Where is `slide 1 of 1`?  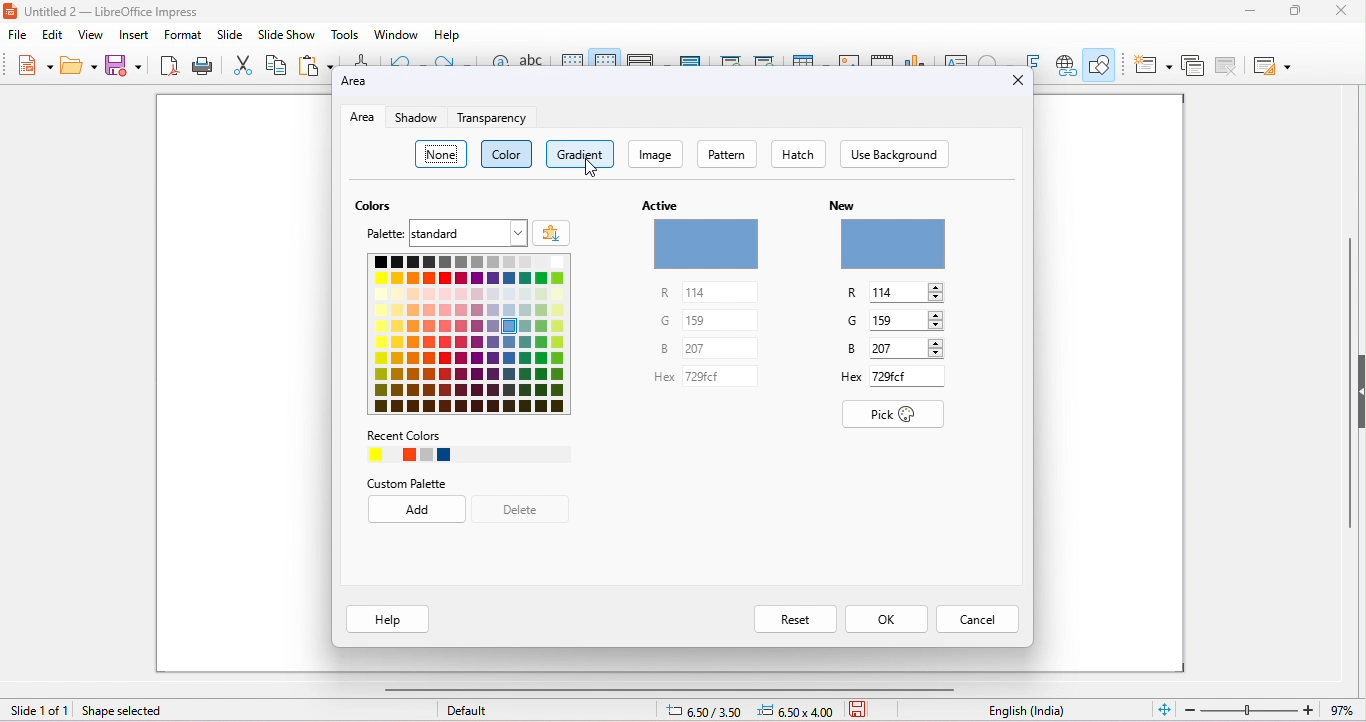 slide 1 of 1 is located at coordinates (39, 711).